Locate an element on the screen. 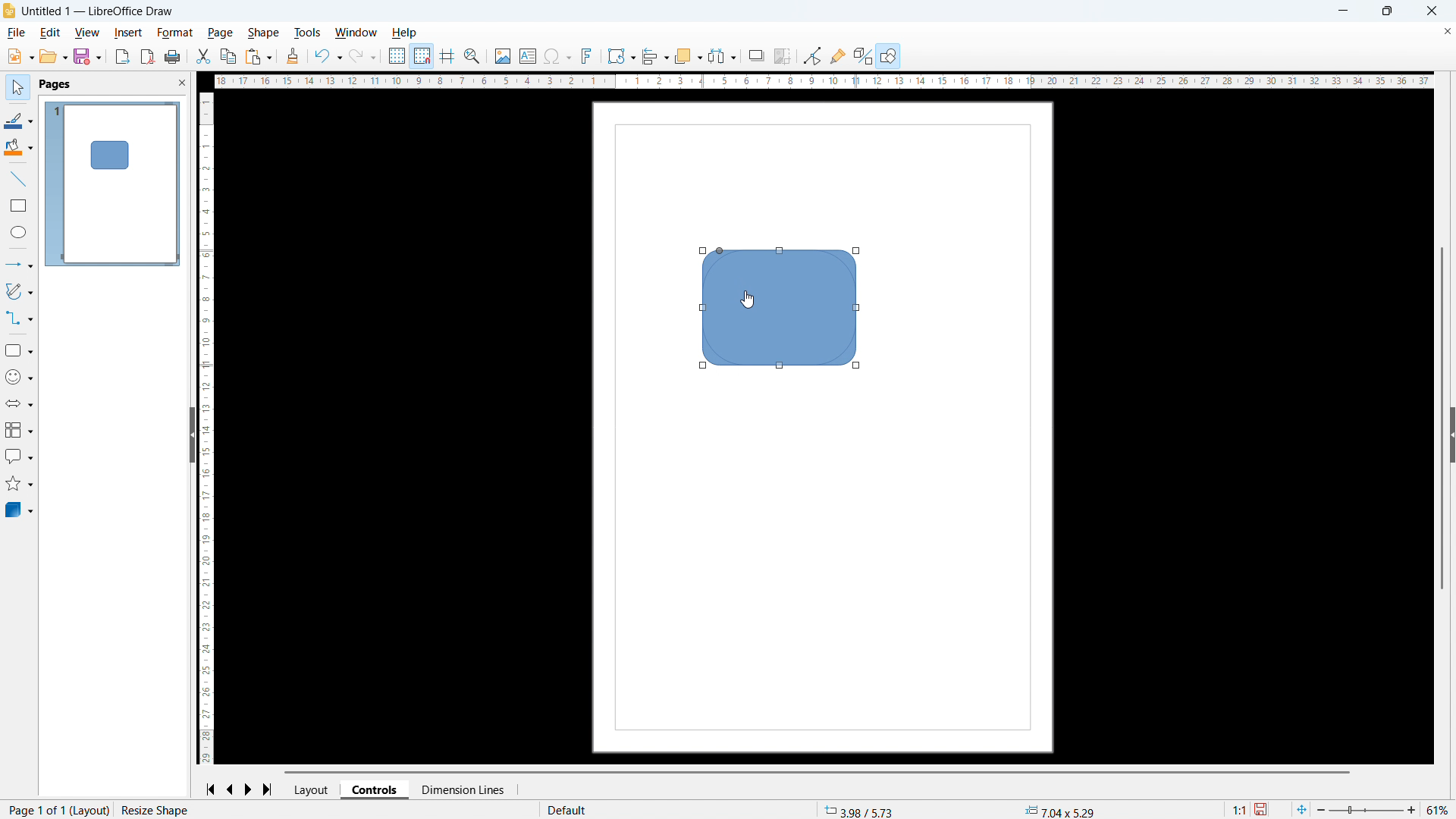 This screenshot has width=1456, height=819. Insert font work text  is located at coordinates (587, 55).